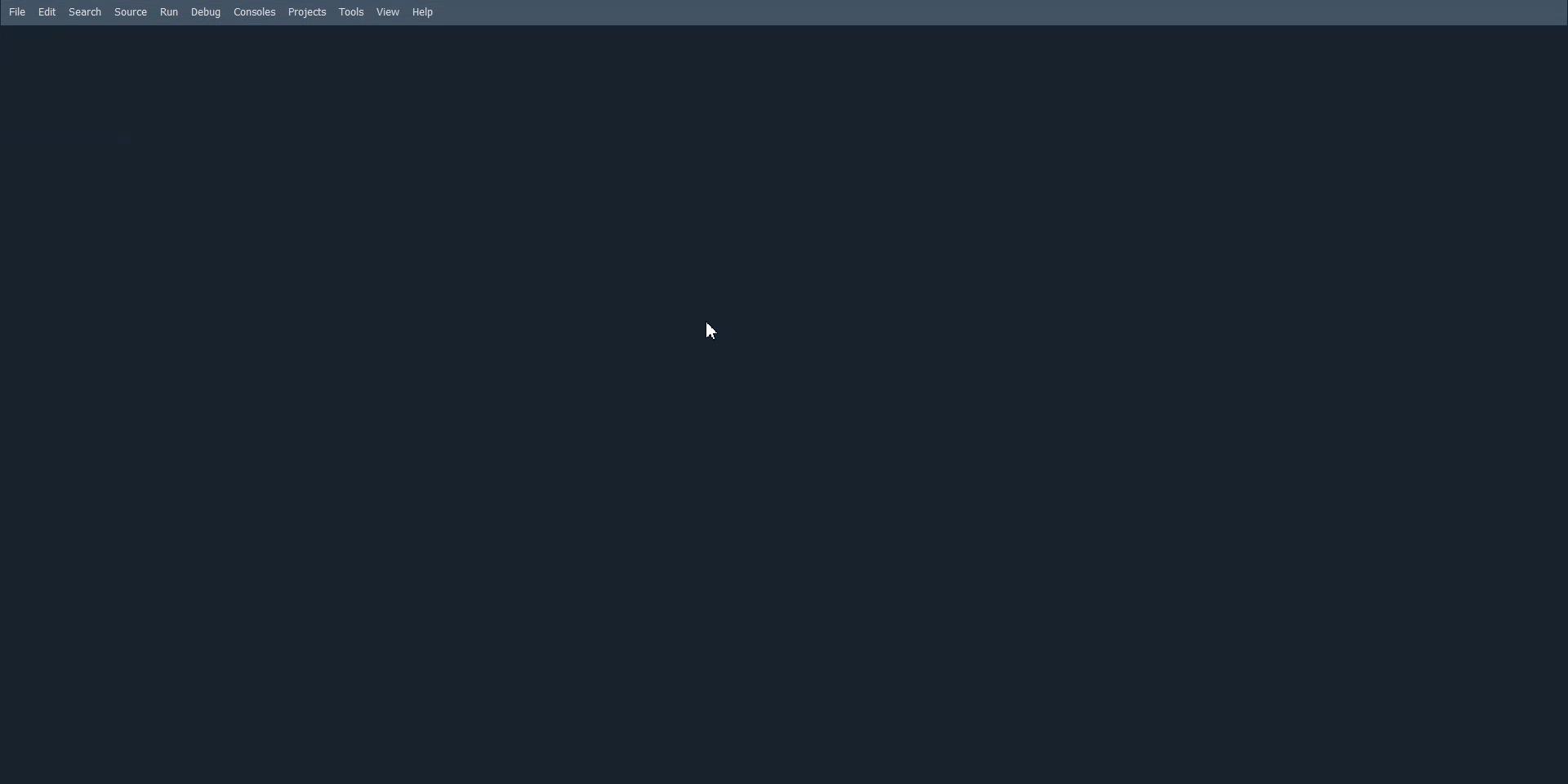 Image resolution: width=1568 pixels, height=784 pixels. I want to click on Edit, so click(48, 11).